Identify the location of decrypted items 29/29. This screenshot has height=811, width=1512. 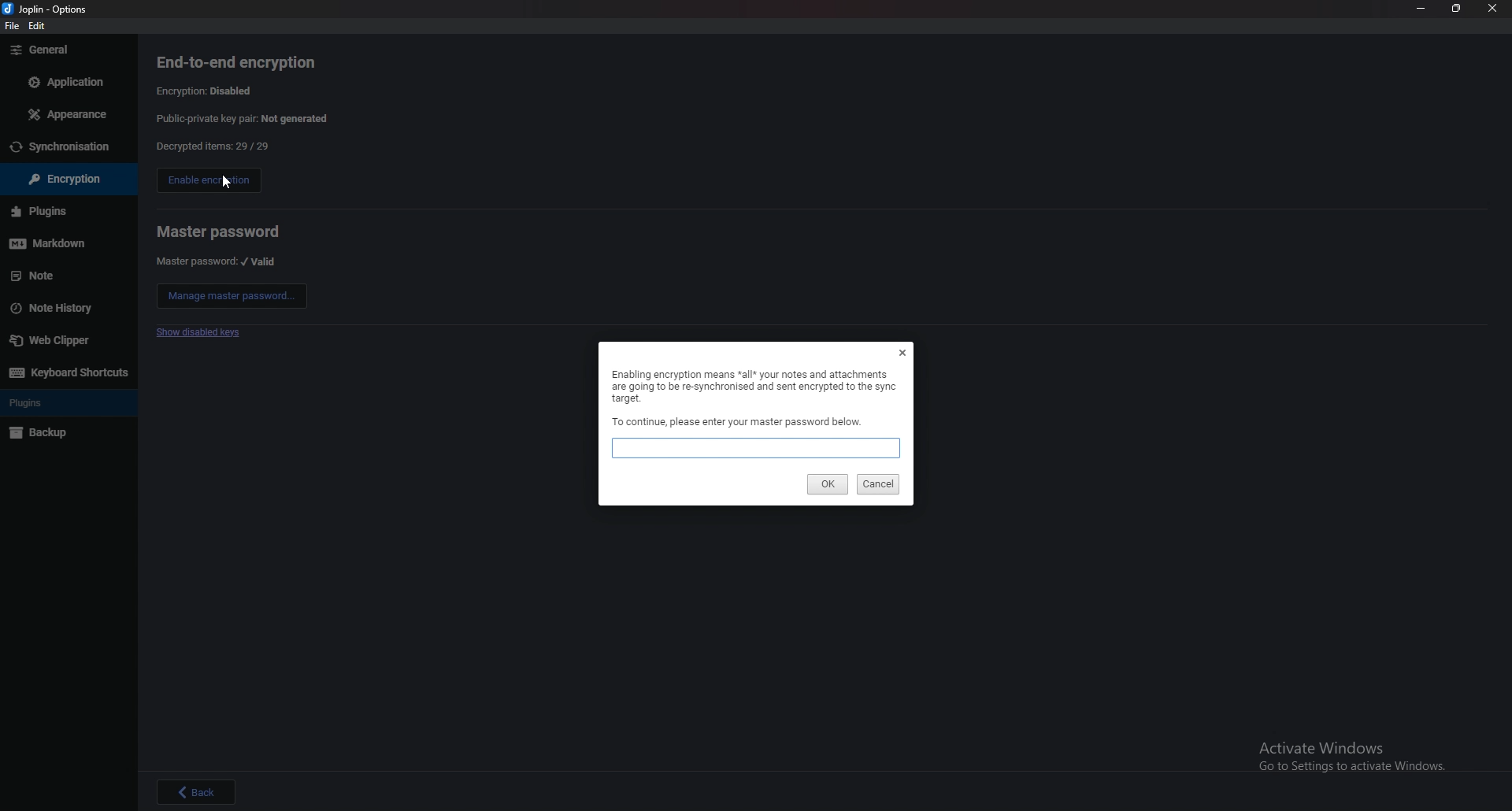
(213, 147).